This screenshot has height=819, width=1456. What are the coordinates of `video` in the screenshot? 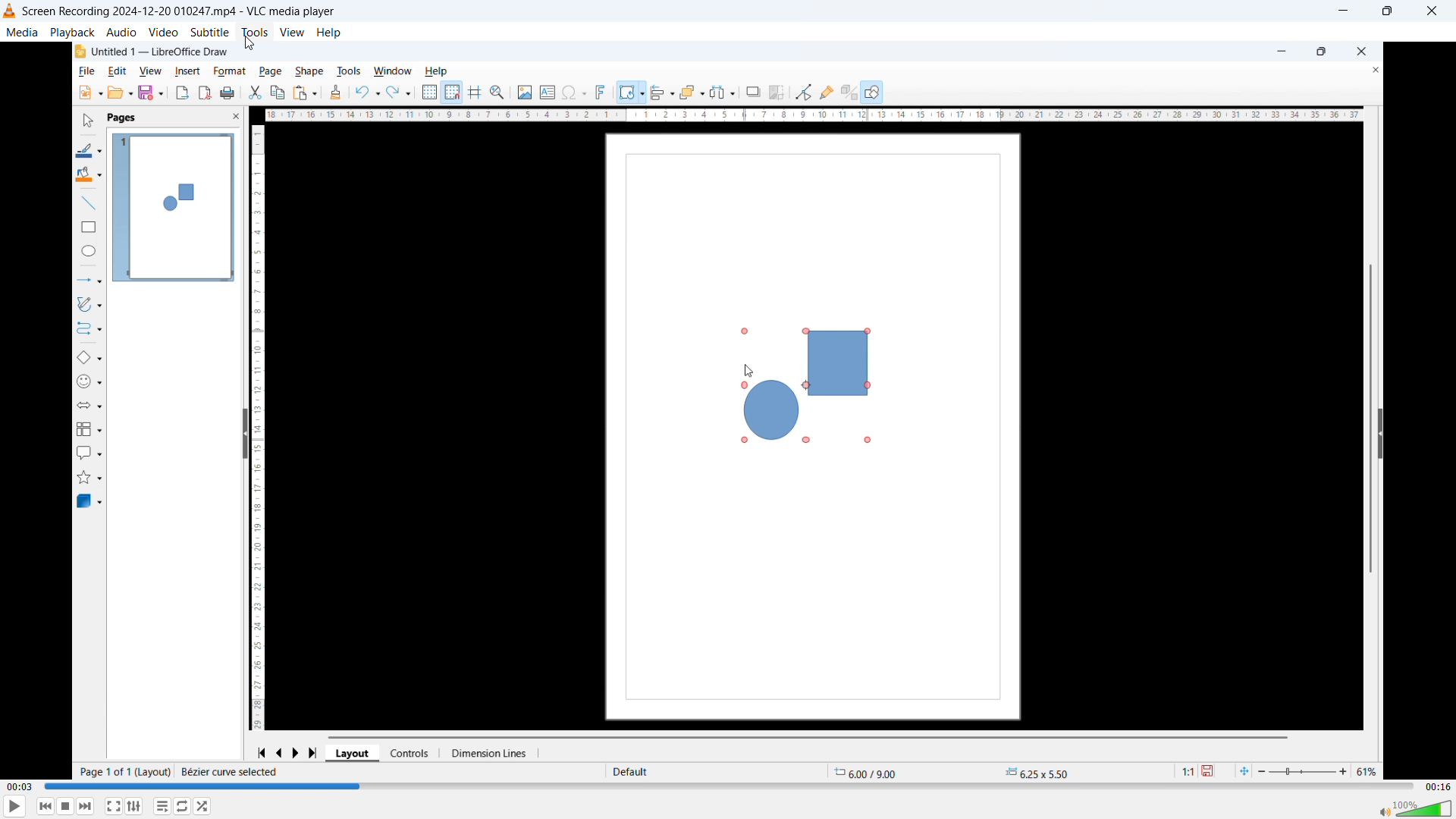 It's located at (163, 32).